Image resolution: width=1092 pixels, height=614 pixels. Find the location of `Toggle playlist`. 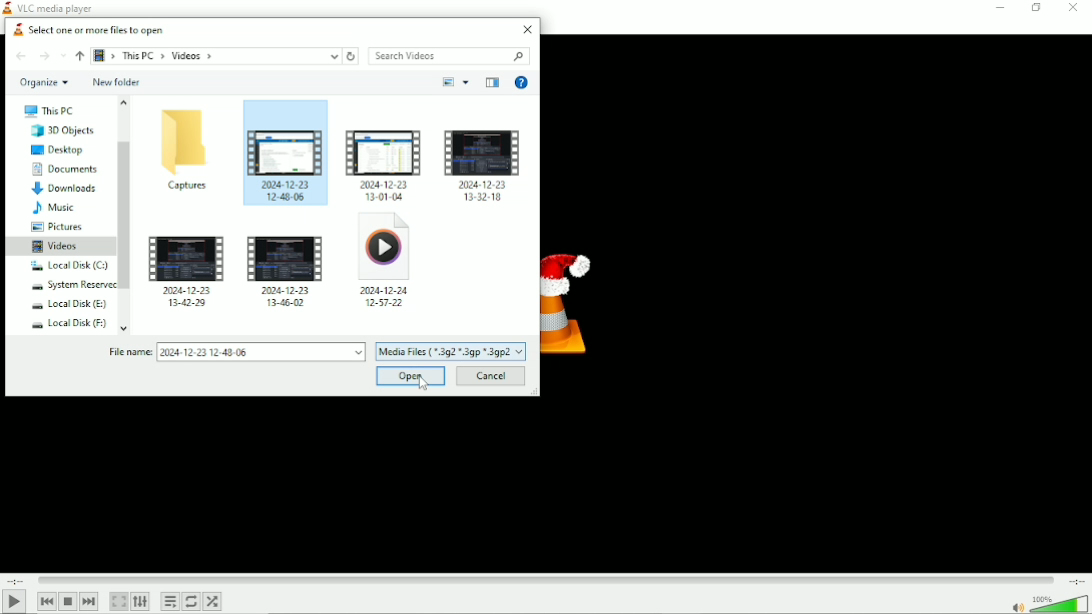

Toggle playlist is located at coordinates (169, 602).